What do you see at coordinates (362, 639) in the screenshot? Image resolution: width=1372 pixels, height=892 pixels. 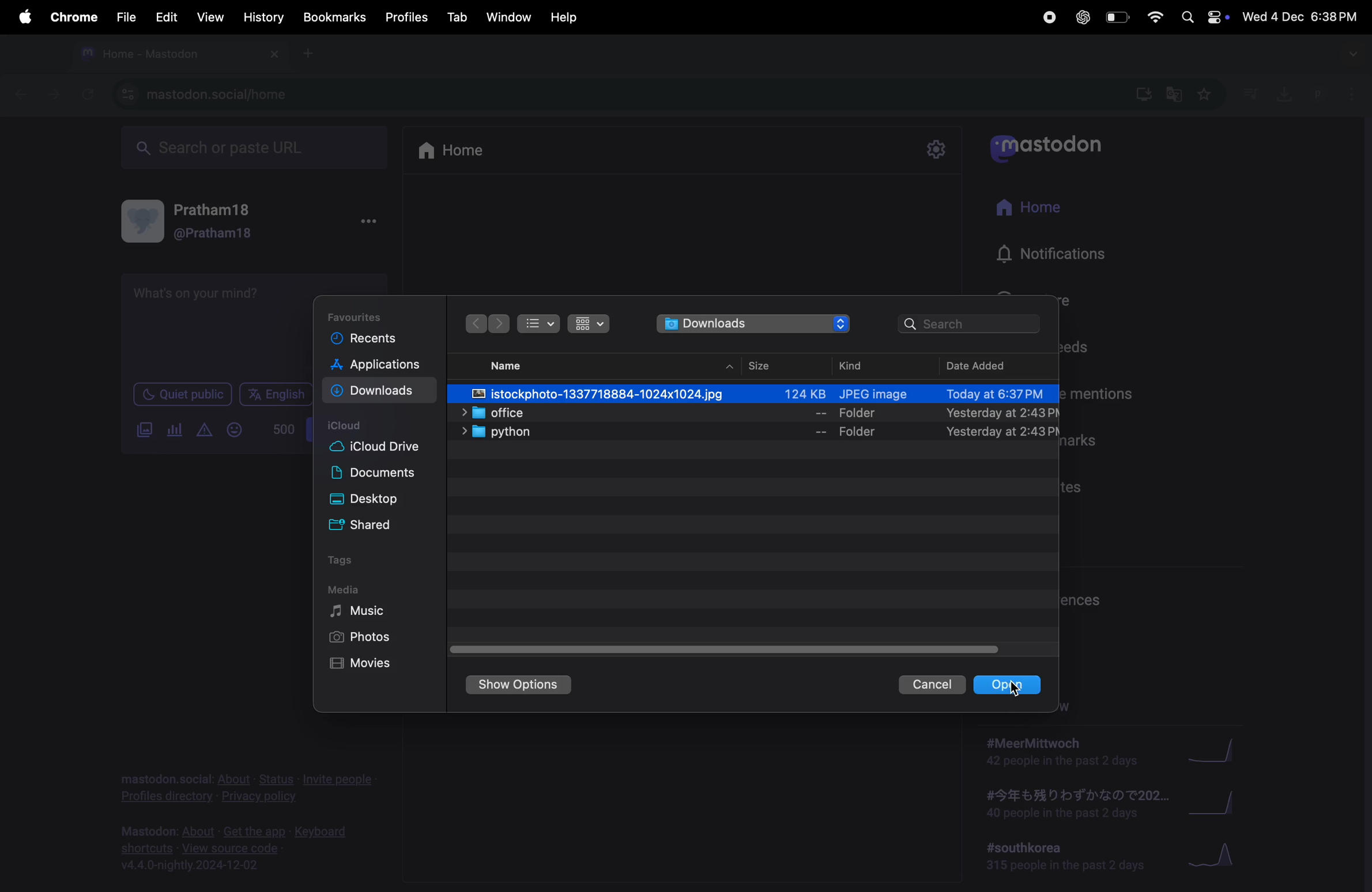 I see `photos` at bounding box center [362, 639].